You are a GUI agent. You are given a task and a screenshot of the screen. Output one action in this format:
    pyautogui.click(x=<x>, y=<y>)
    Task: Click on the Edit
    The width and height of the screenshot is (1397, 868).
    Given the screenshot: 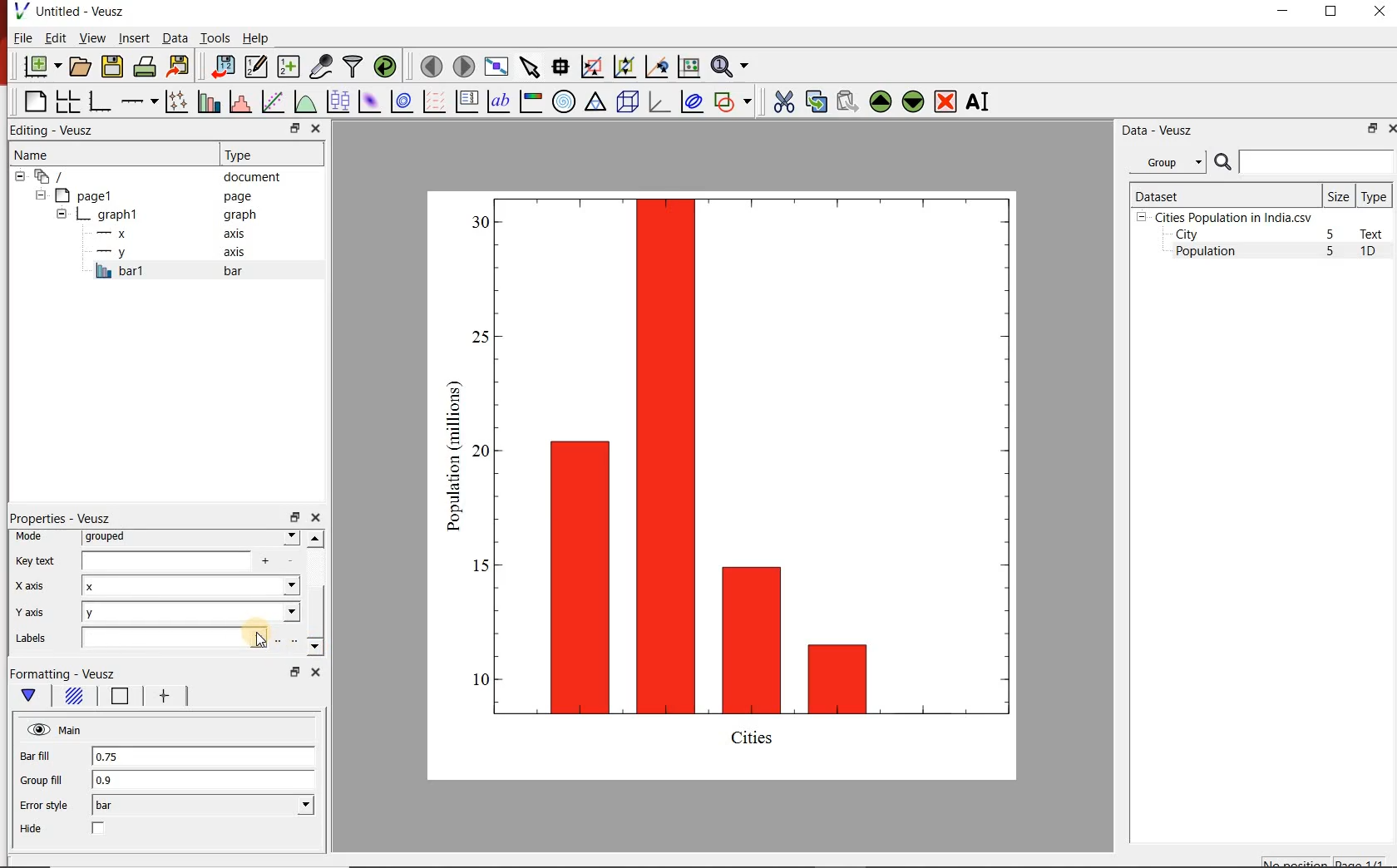 What is the action you would take?
    pyautogui.click(x=54, y=38)
    